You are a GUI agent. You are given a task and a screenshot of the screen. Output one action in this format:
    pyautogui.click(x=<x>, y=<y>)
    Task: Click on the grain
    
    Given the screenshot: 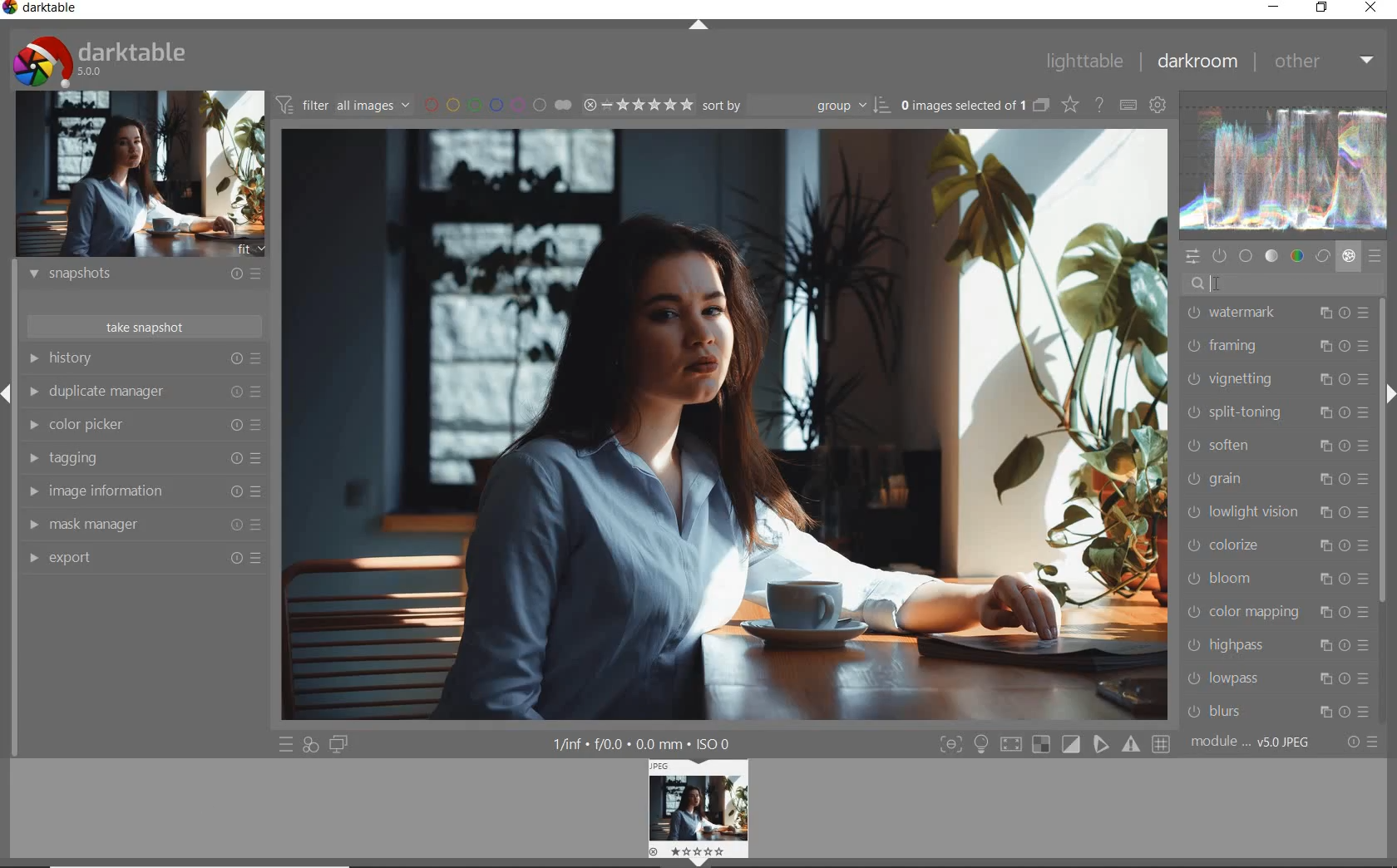 What is the action you would take?
    pyautogui.click(x=1279, y=479)
    